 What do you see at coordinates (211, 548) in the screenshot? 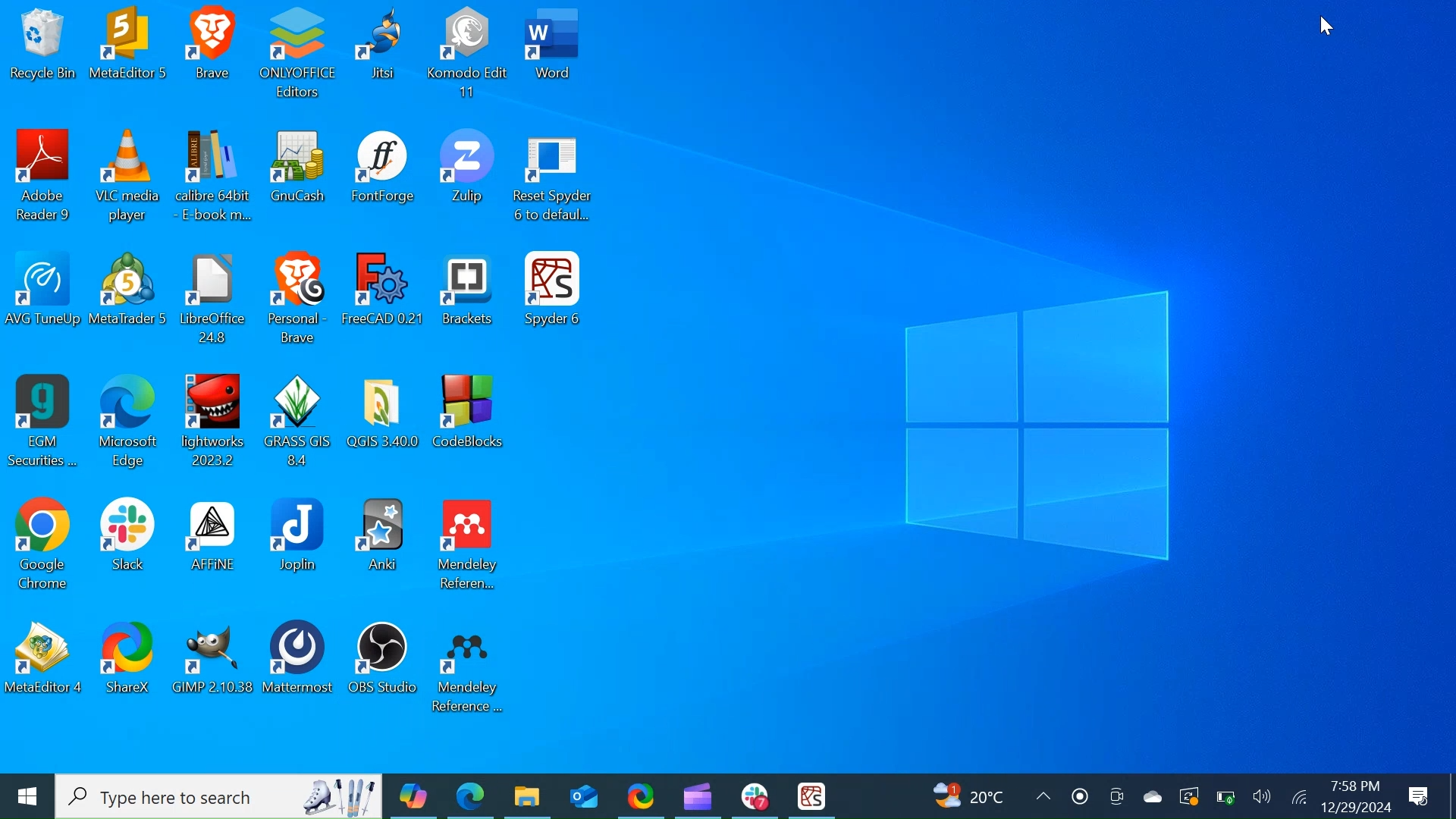
I see `Affine Desktop icon` at bounding box center [211, 548].